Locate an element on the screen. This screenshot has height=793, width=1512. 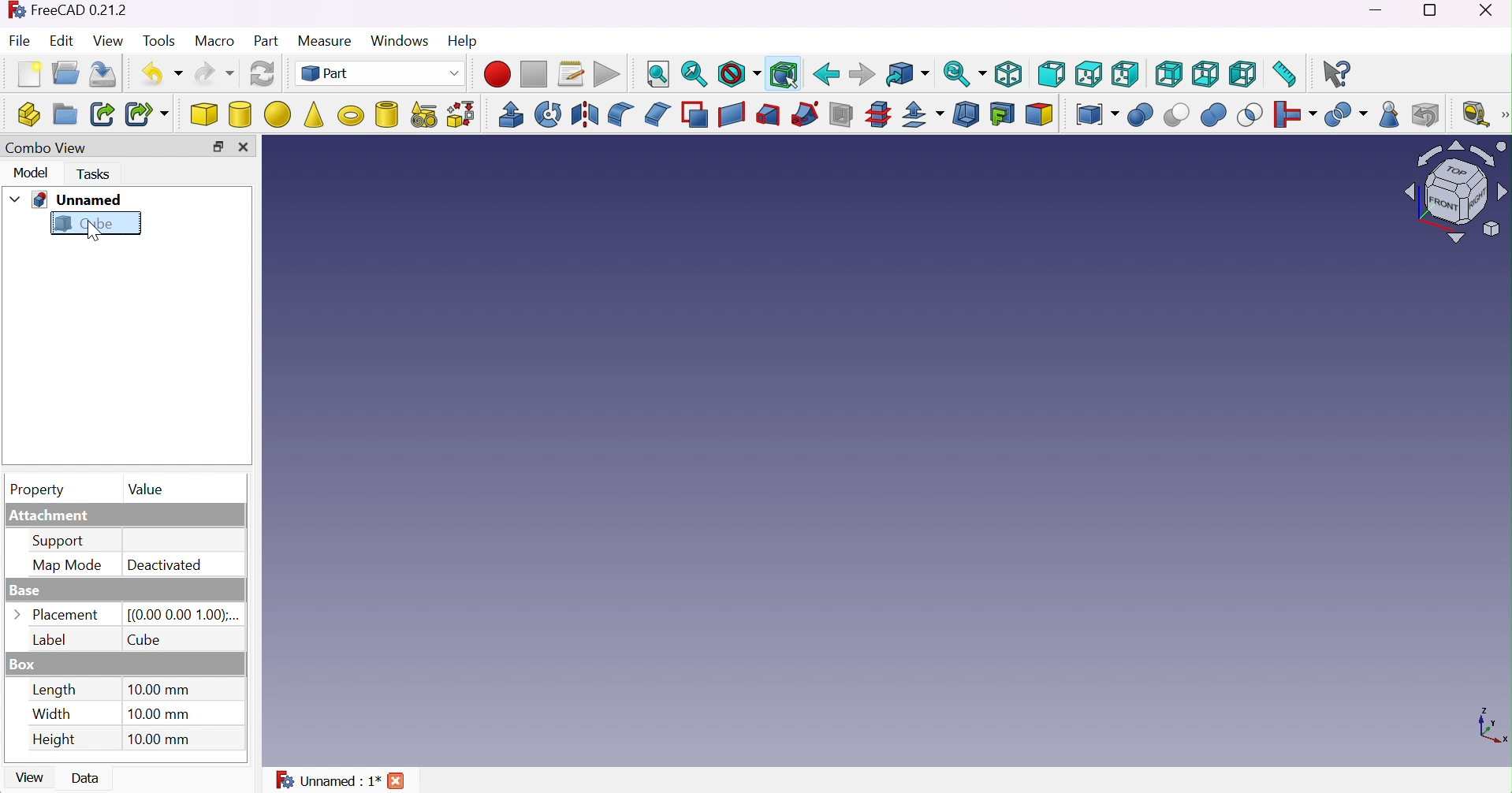
Drop down is located at coordinates (16, 199).